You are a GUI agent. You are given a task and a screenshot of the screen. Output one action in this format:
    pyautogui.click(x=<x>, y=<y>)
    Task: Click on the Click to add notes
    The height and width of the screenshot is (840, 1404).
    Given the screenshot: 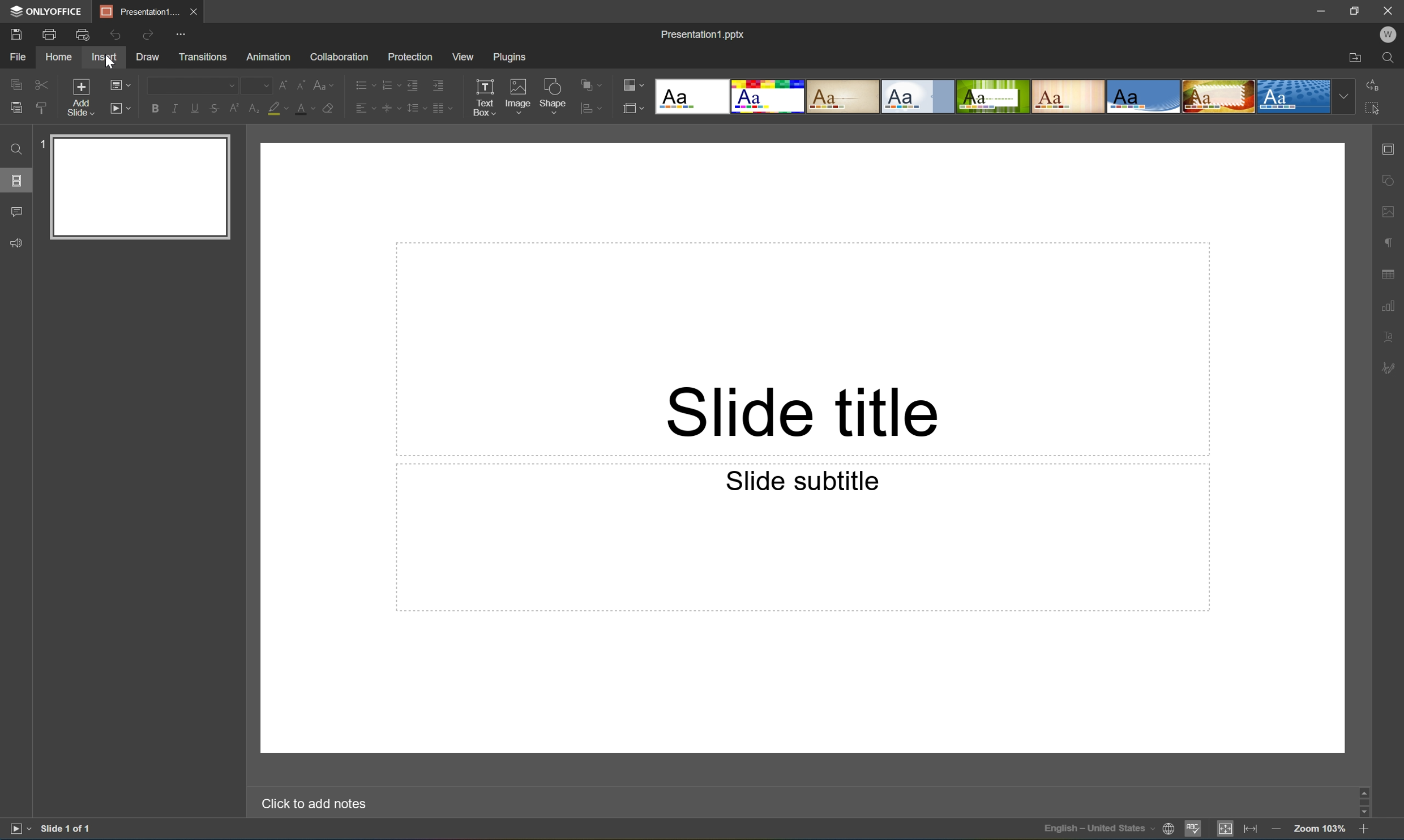 What is the action you would take?
    pyautogui.click(x=318, y=804)
    